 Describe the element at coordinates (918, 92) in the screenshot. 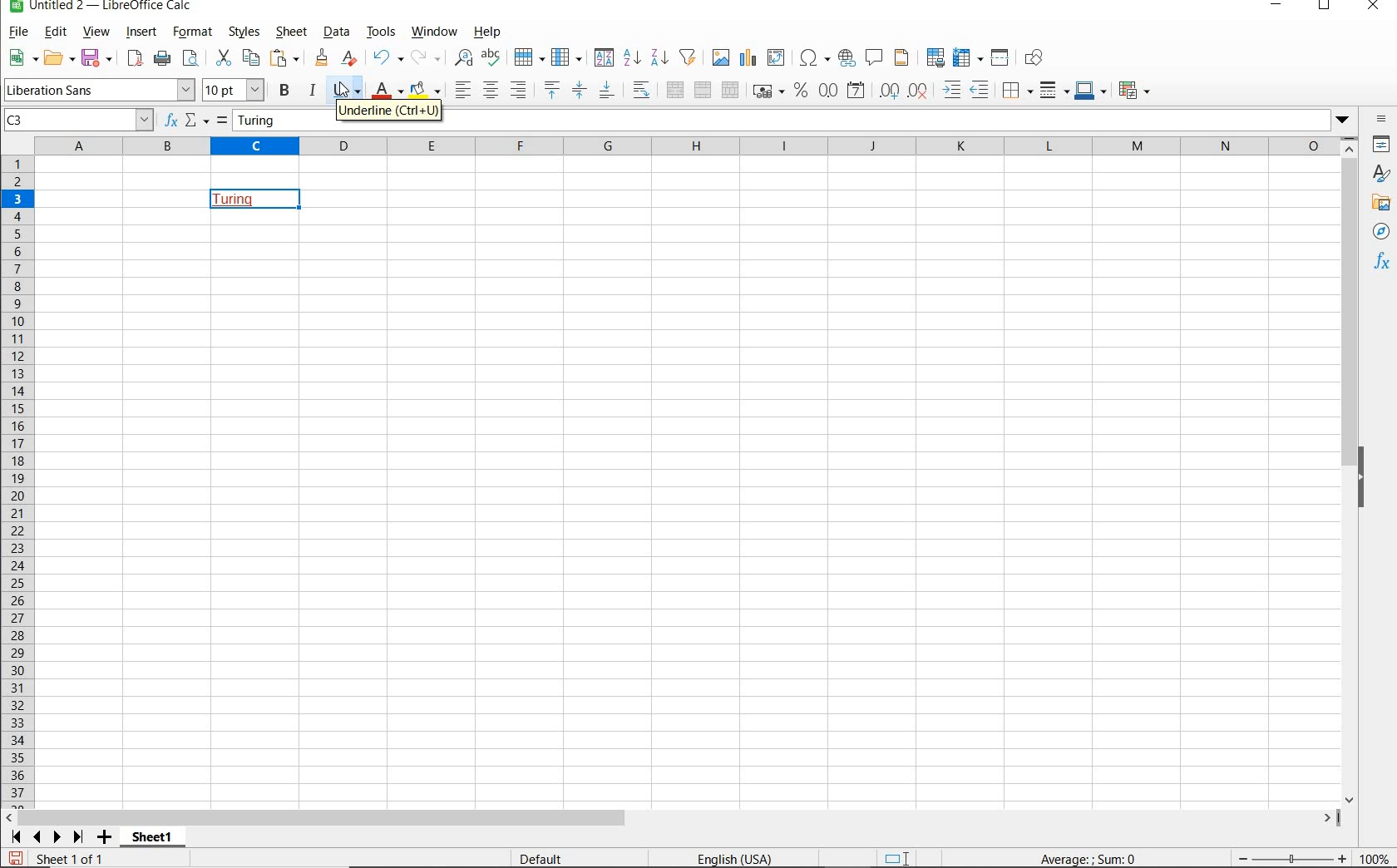

I see `DELETE DECIMAL PLACE` at that location.